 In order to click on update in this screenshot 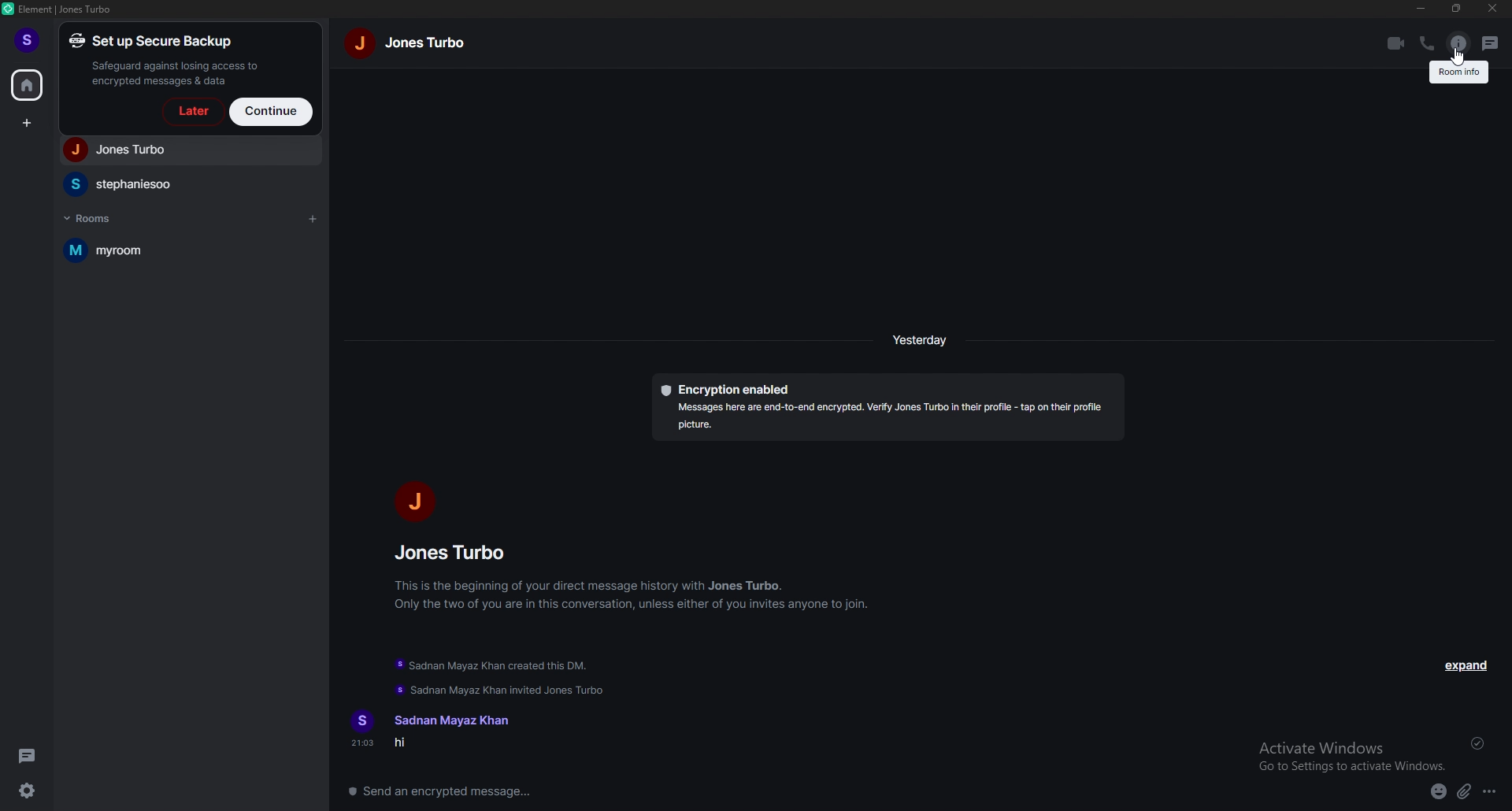, I will do `click(495, 676)`.